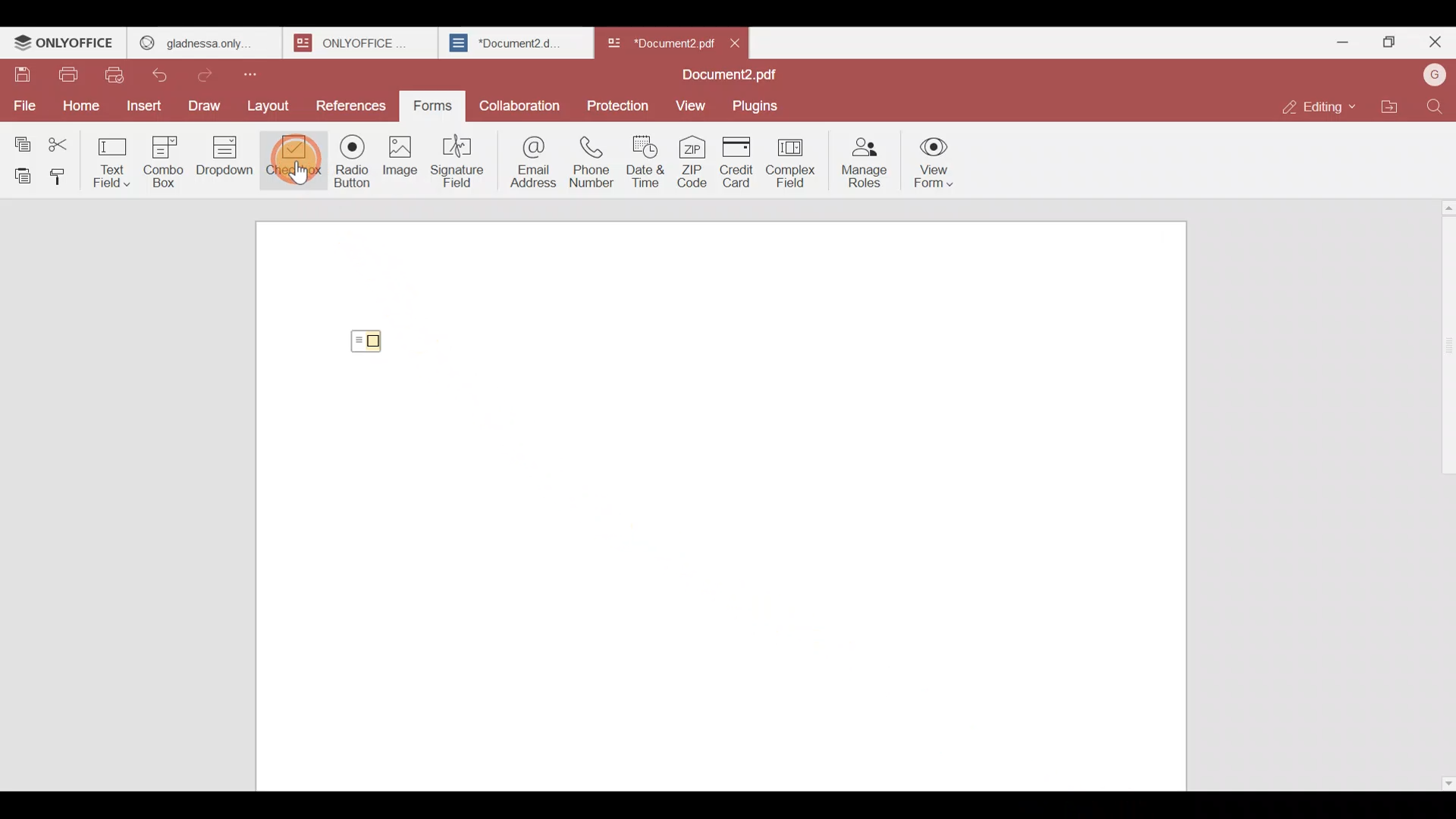 The height and width of the screenshot is (819, 1456). I want to click on Home, so click(78, 105).